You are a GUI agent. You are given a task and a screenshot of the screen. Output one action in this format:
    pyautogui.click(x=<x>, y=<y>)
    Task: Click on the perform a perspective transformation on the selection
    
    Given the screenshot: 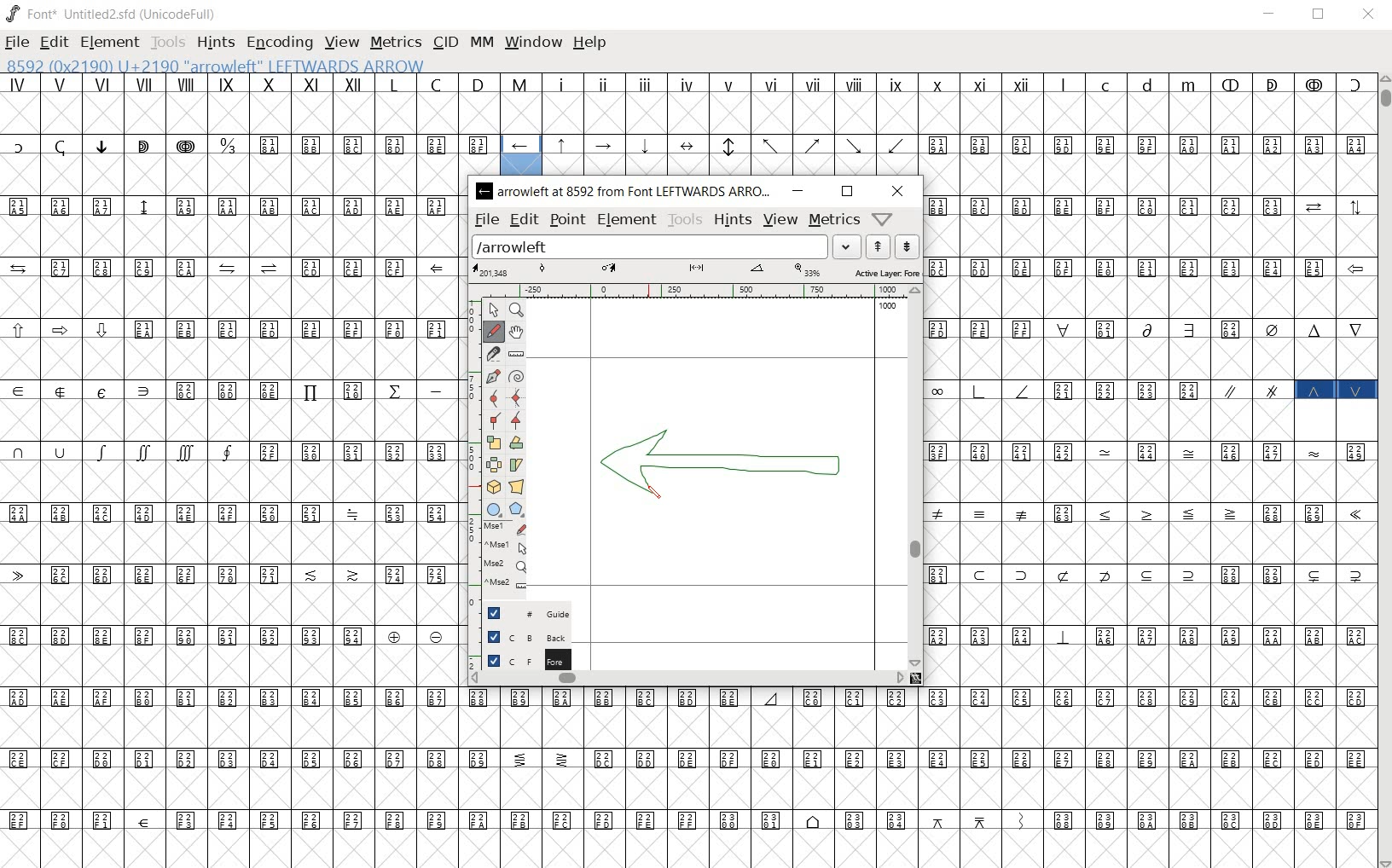 What is the action you would take?
    pyautogui.click(x=515, y=485)
    